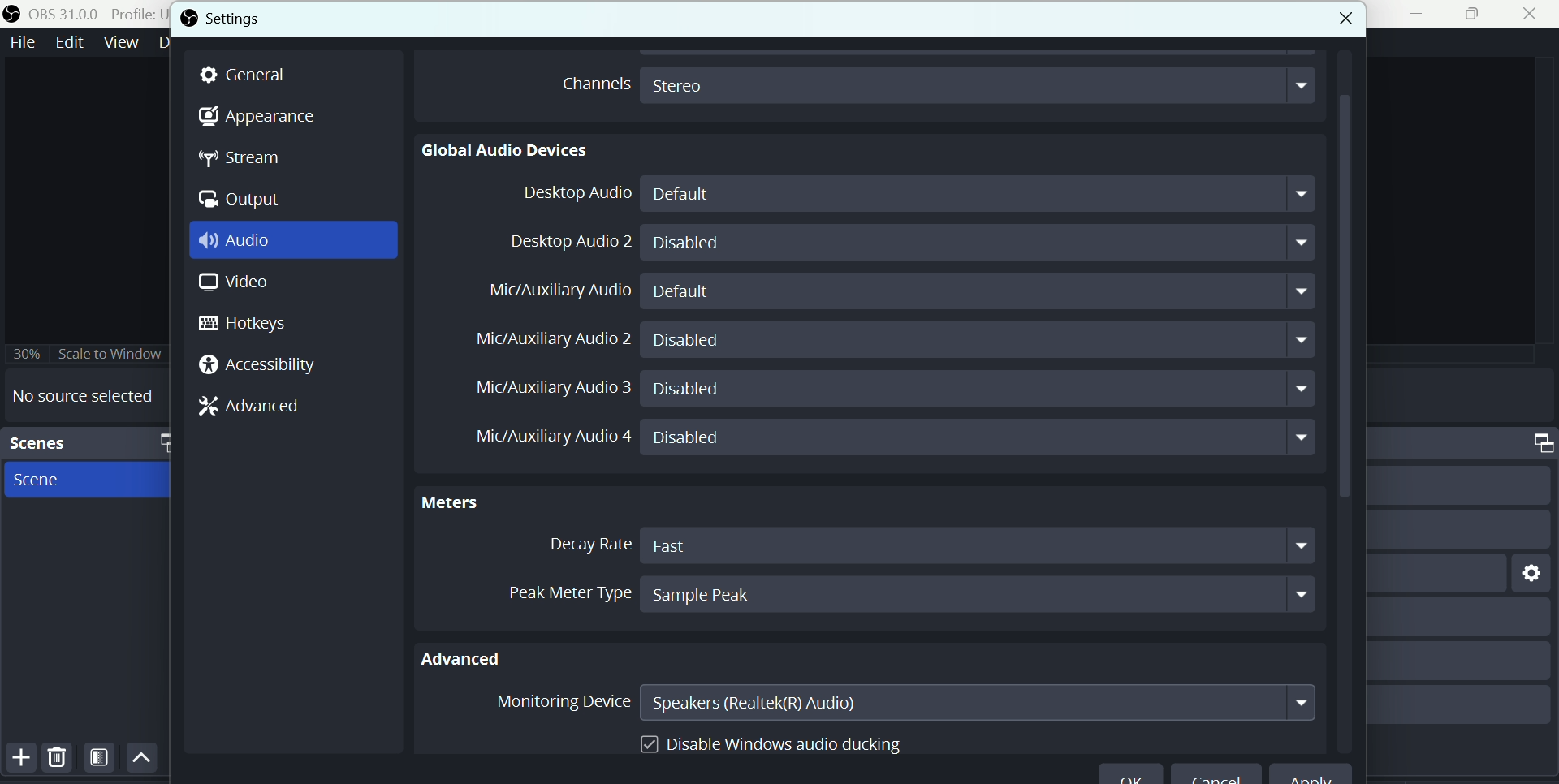  What do you see at coordinates (584, 545) in the screenshot?
I see `Decay Rate` at bounding box center [584, 545].